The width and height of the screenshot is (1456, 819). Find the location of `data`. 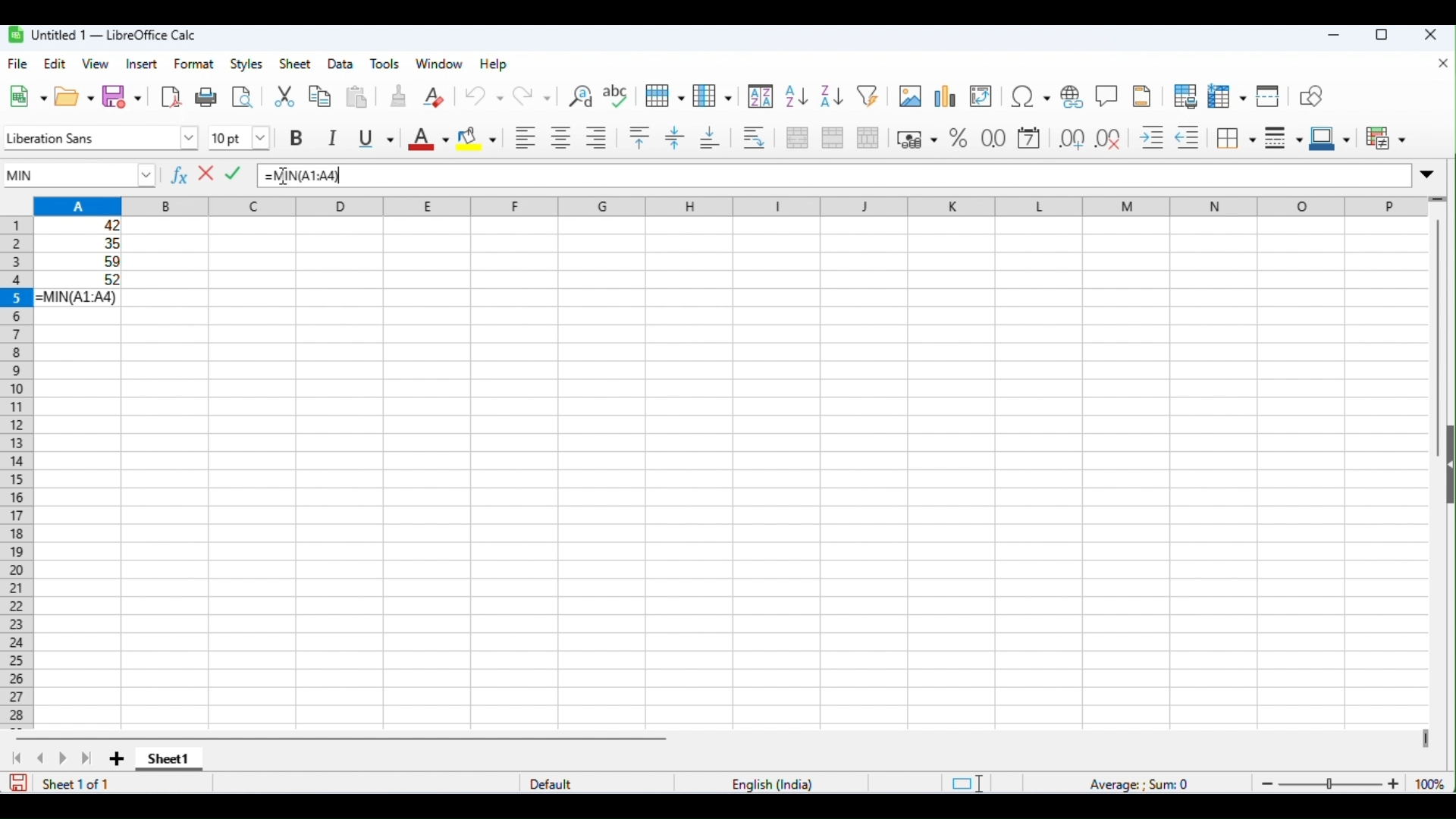

data is located at coordinates (341, 64).